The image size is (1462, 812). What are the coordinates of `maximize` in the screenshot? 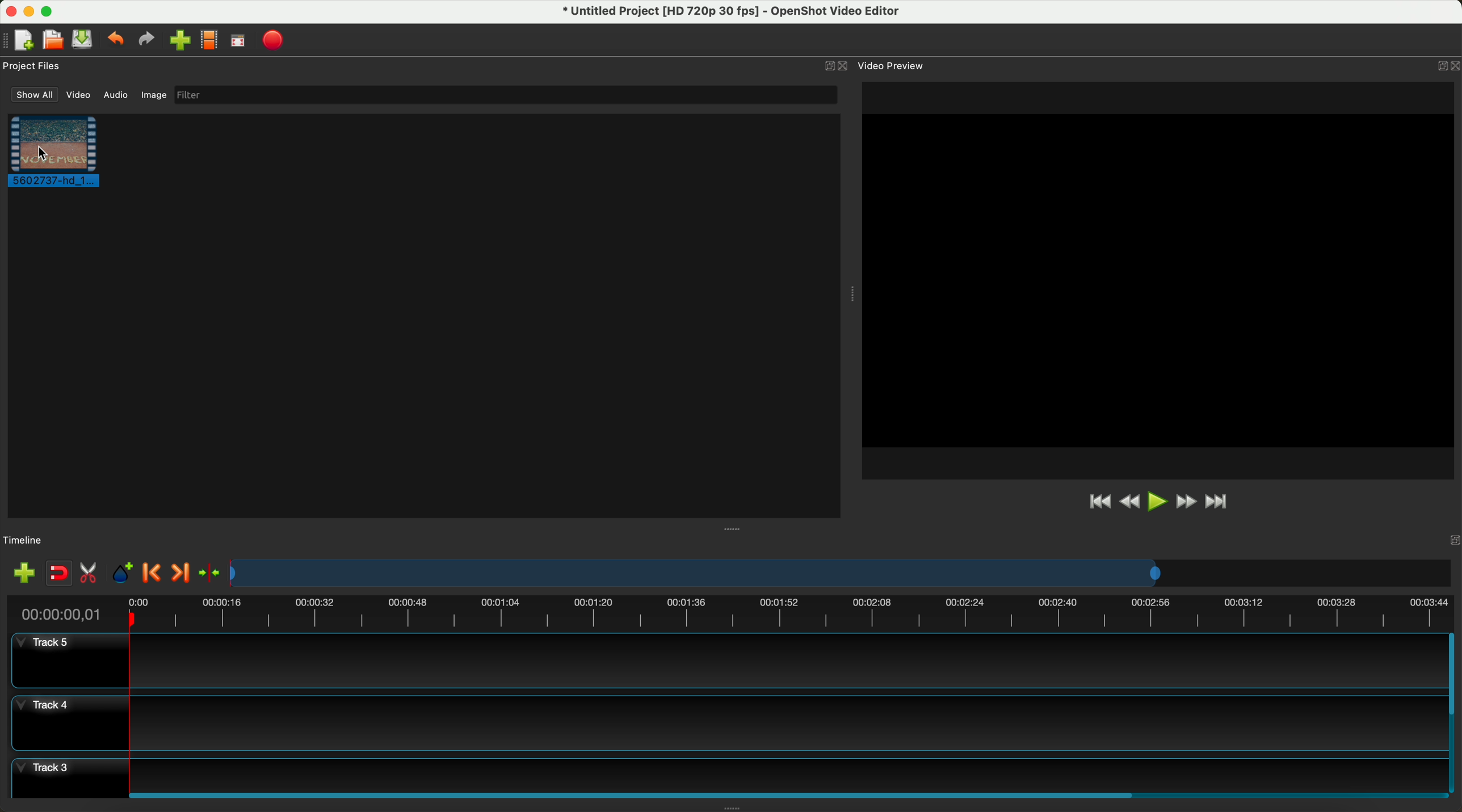 It's located at (50, 11).